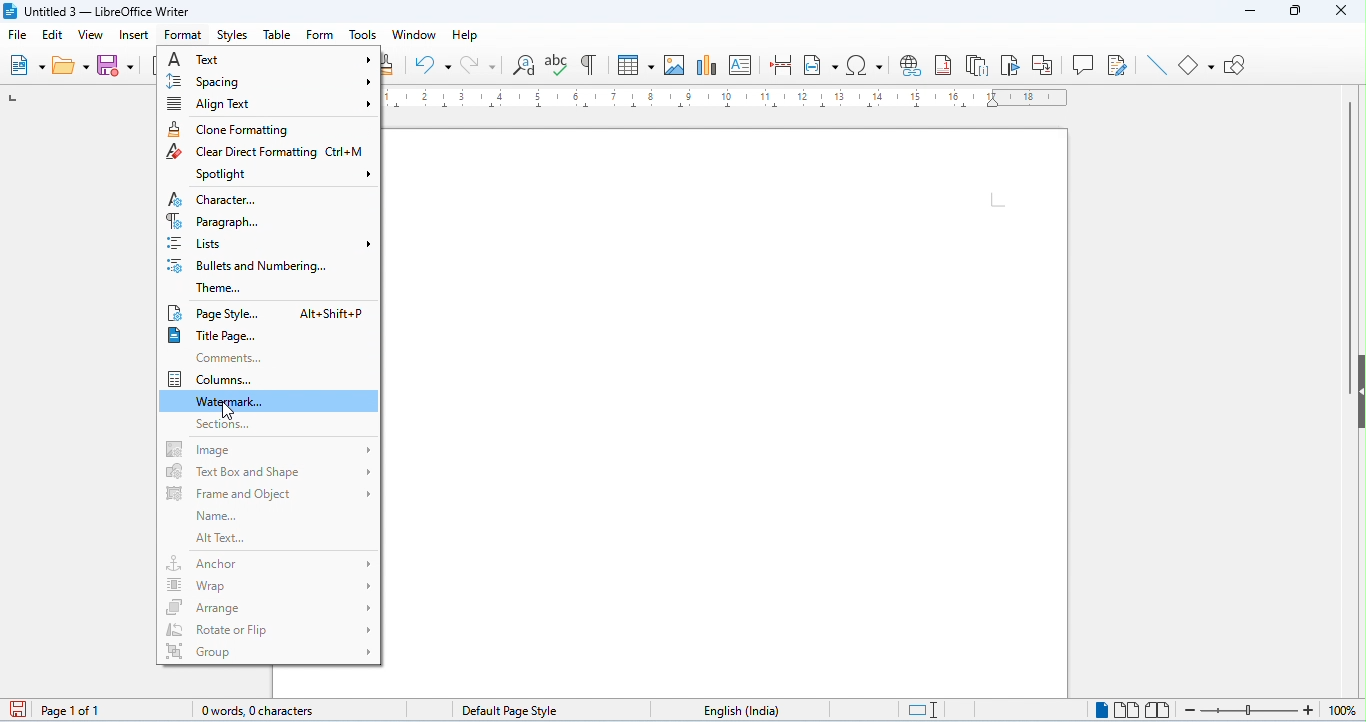 The image size is (1366, 722). I want to click on table, so click(279, 35).